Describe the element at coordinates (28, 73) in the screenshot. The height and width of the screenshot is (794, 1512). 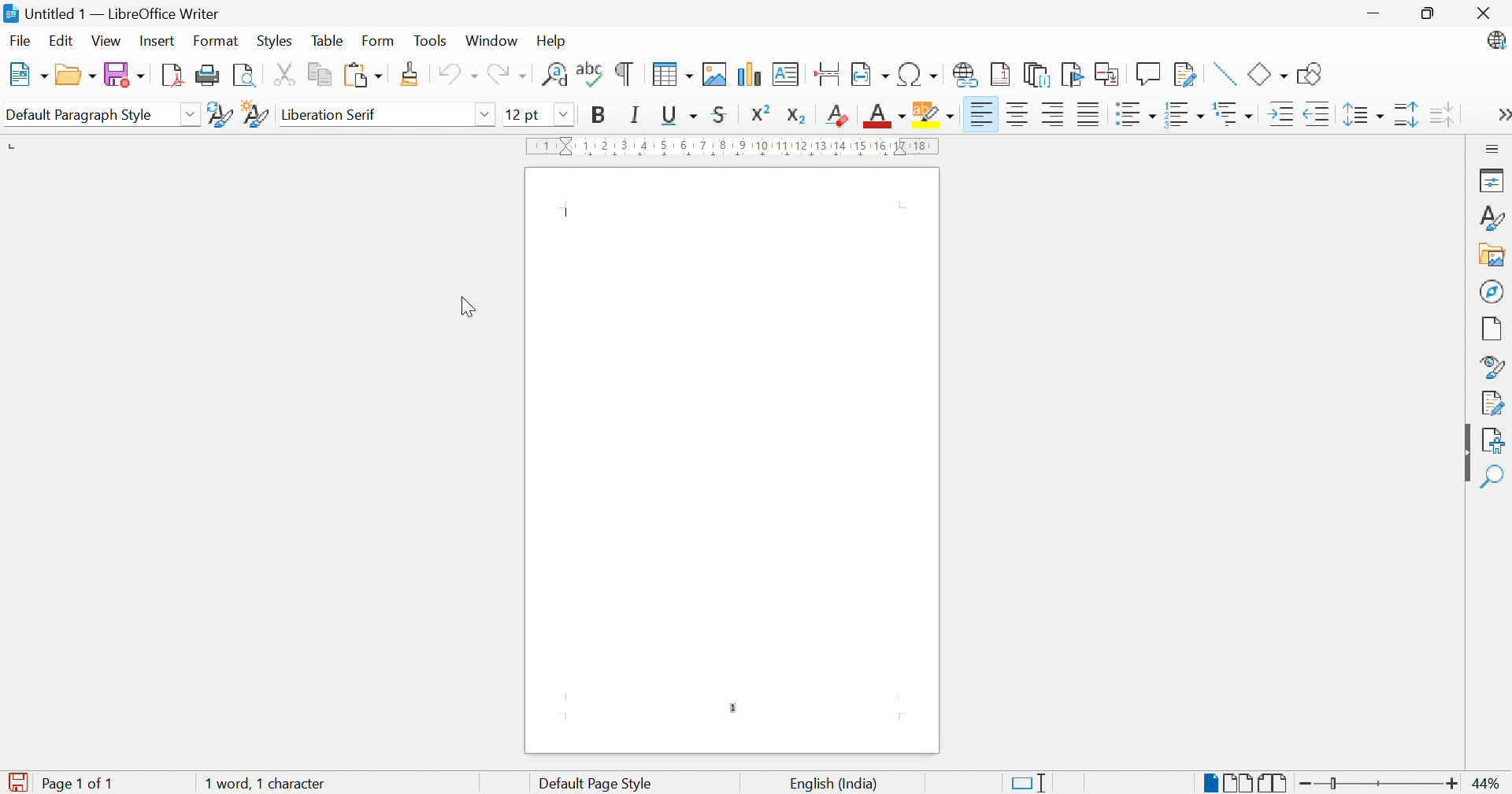
I see `New` at that location.